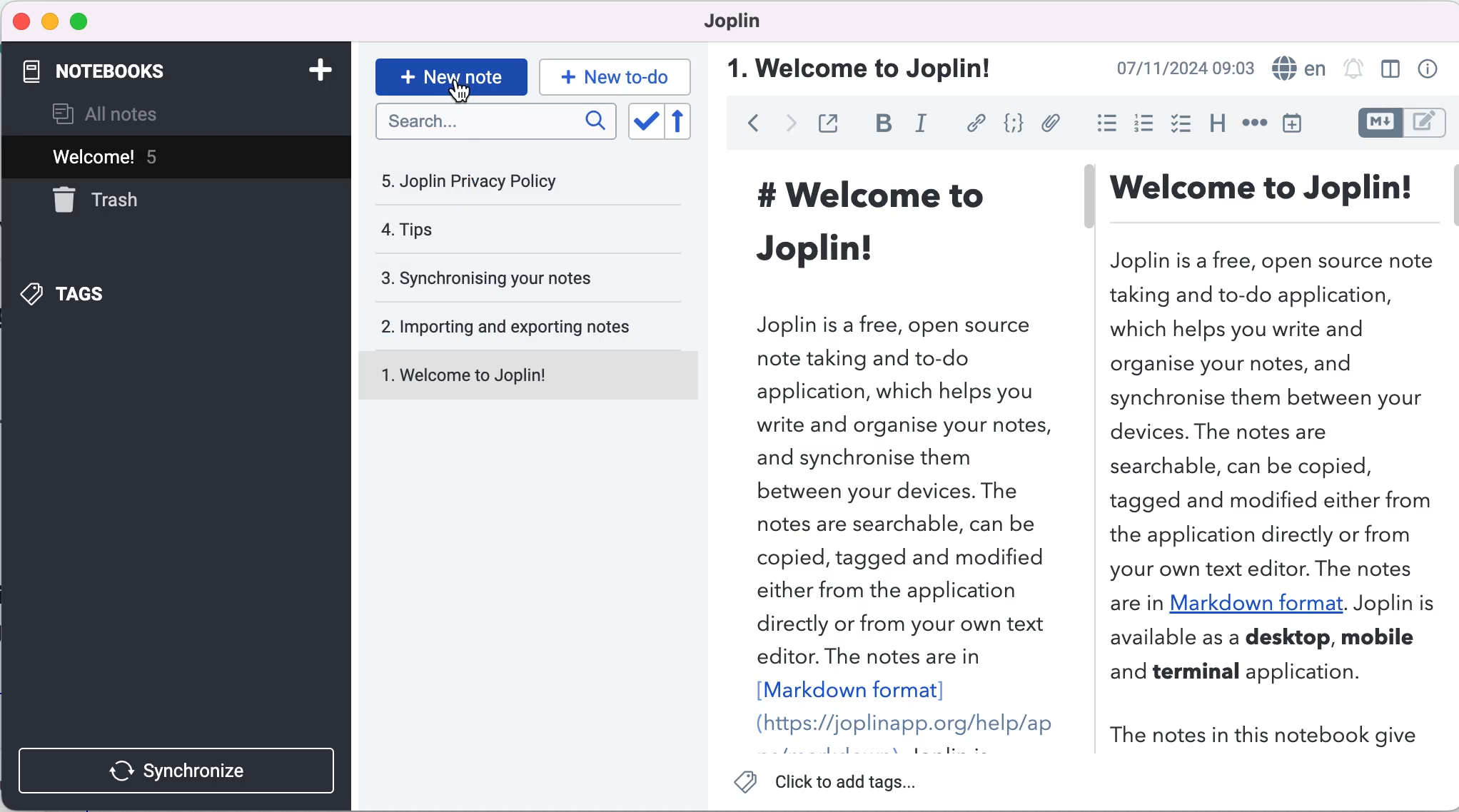 Image resolution: width=1459 pixels, height=812 pixels. What do you see at coordinates (78, 293) in the screenshot?
I see `tags` at bounding box center [78, 293].